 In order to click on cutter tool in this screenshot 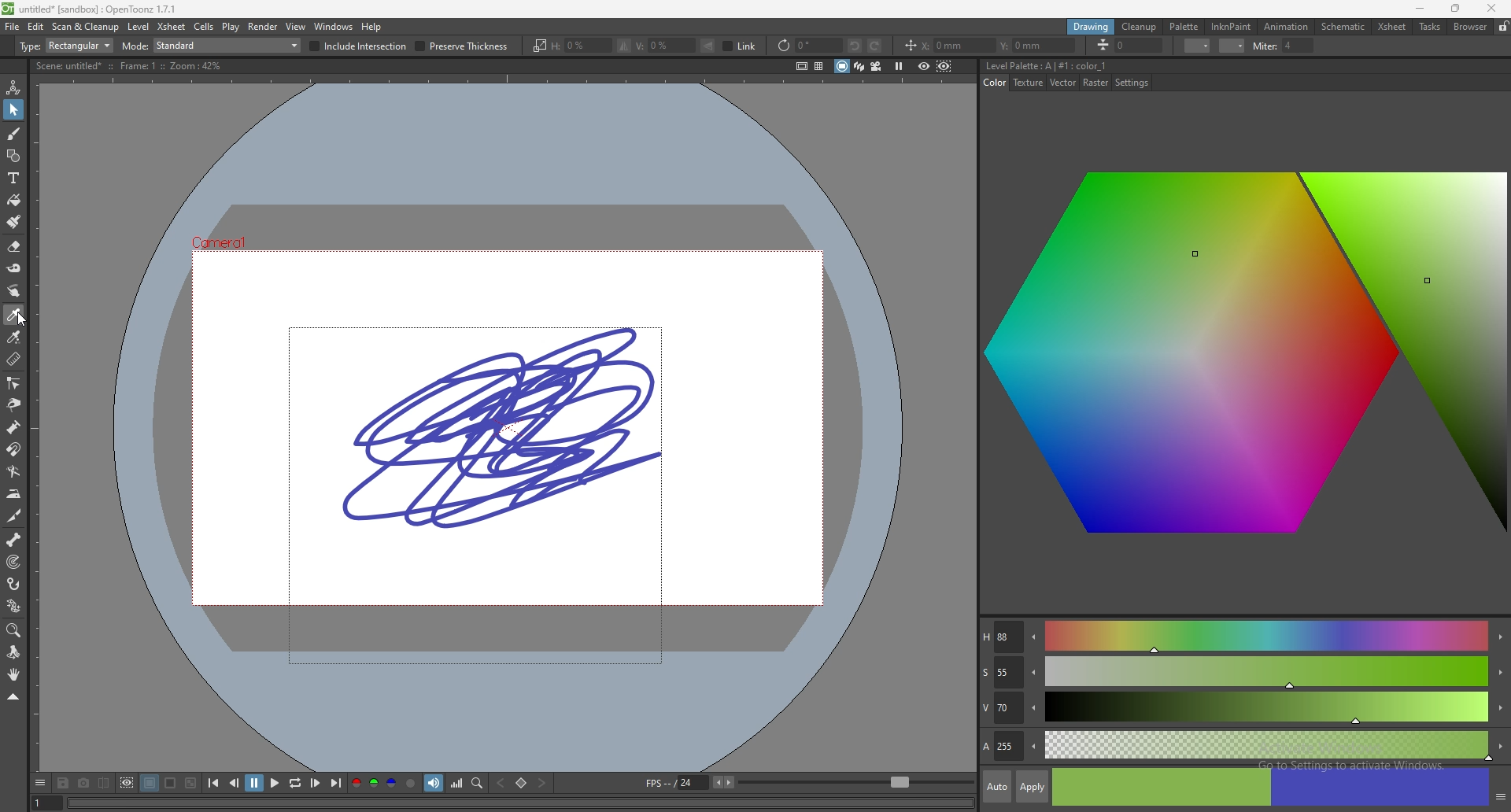, I will do `click(13, 516)`.